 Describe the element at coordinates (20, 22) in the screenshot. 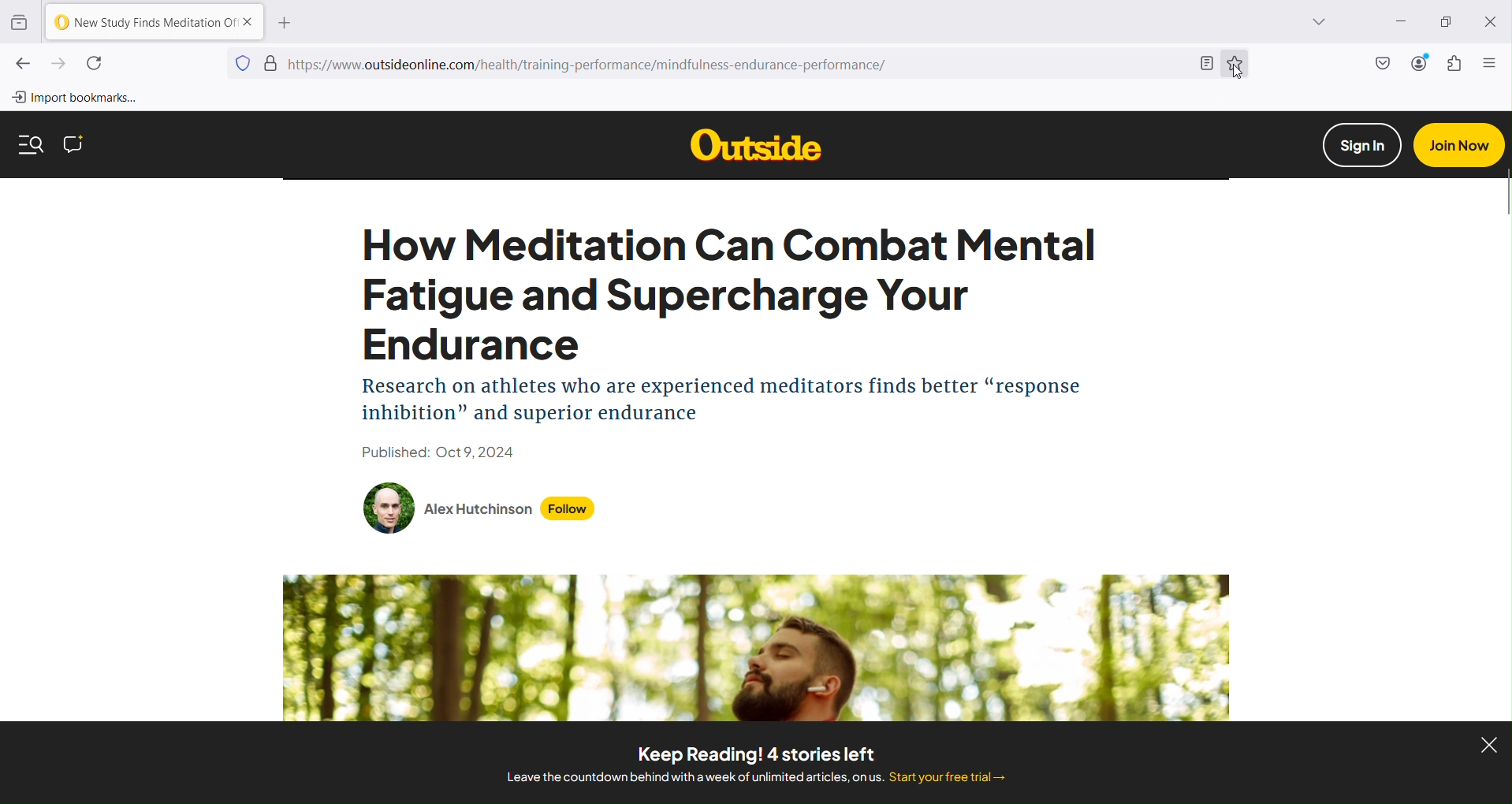

I see `View recent browsing across windows and devices` at that location.